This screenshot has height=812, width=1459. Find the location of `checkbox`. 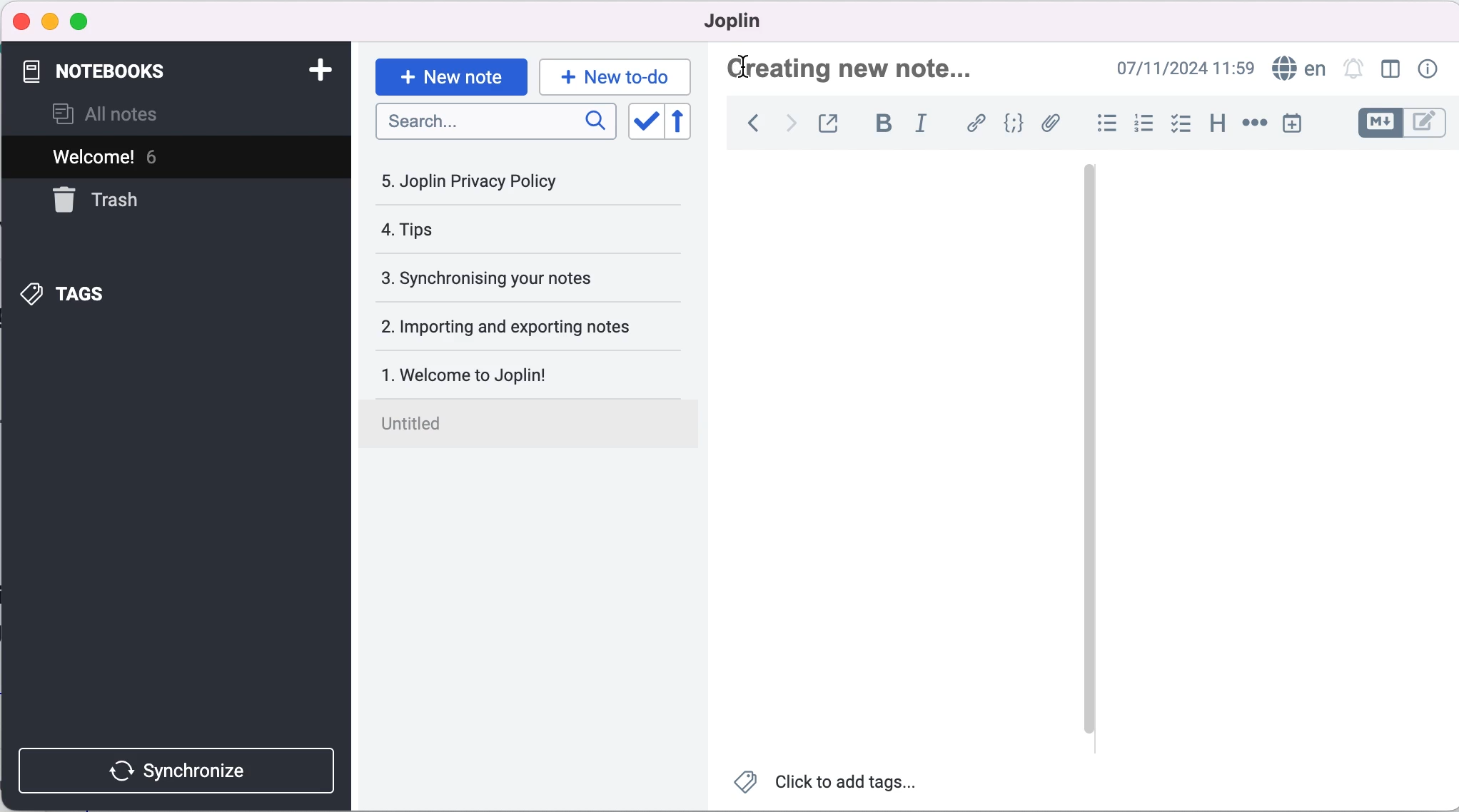

checkbox is located at coordinates (1183, 123).